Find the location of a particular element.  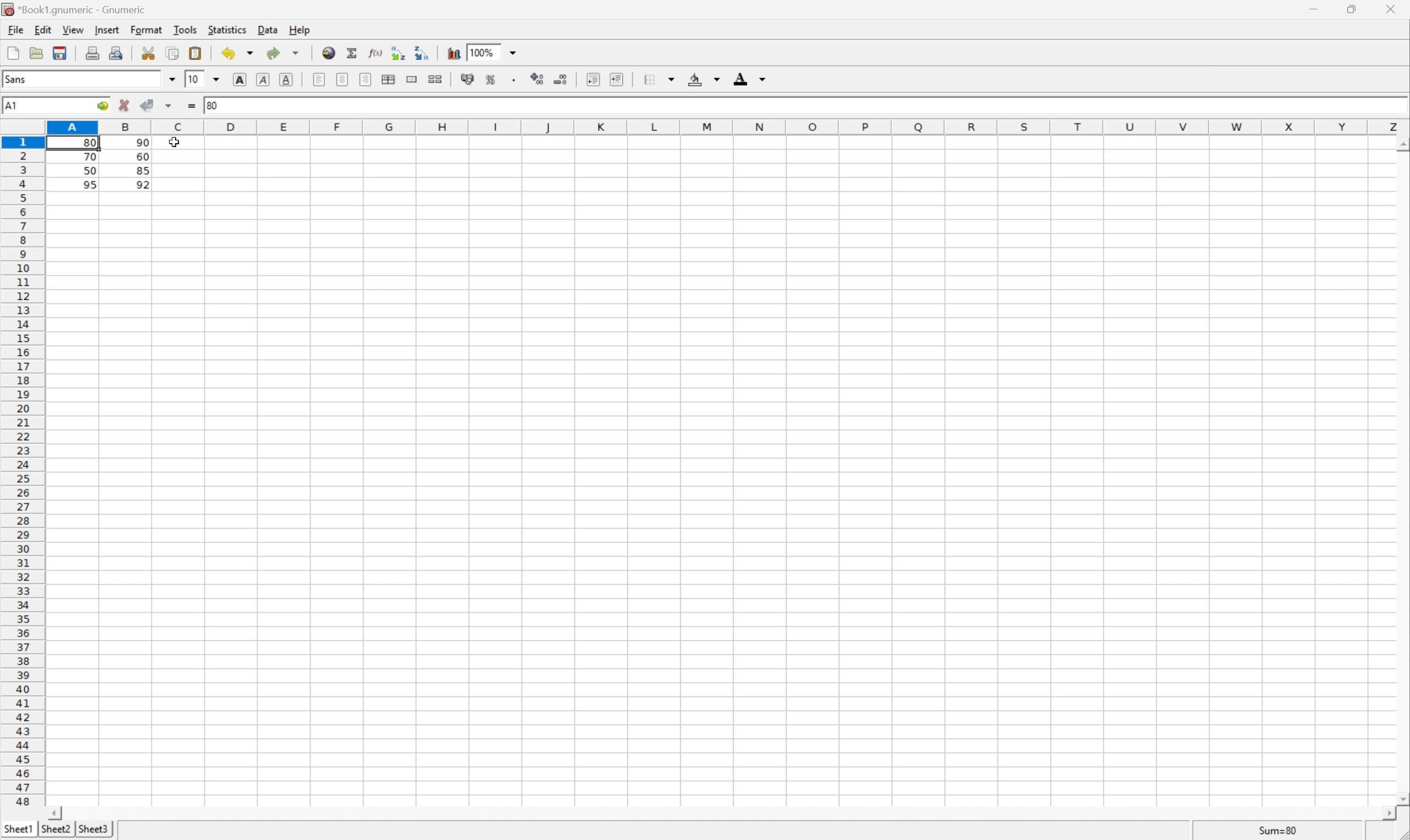

10 is located at coordinates (193, 79).